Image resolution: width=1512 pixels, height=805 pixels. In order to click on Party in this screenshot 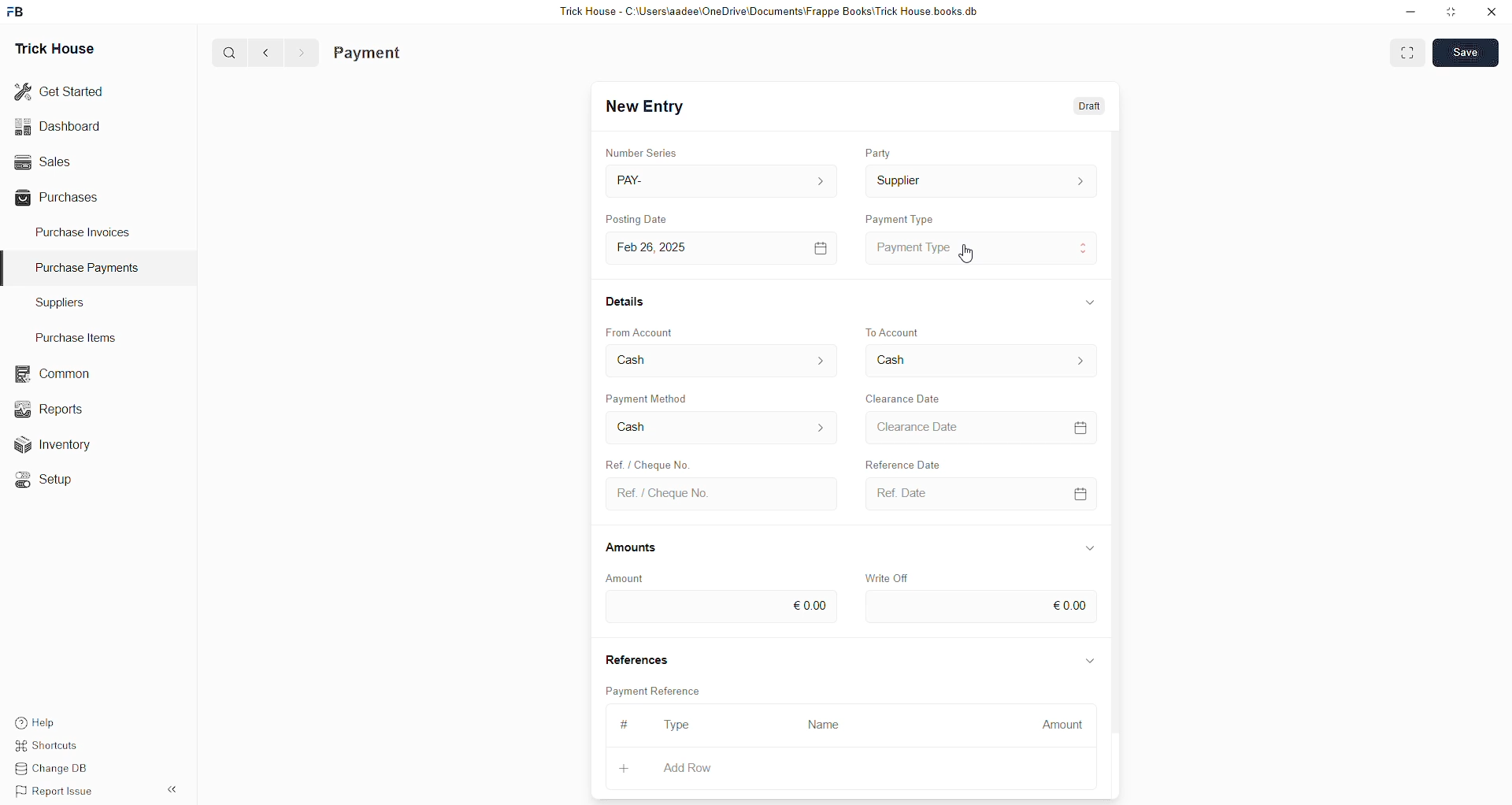, I will do `click(880, 154)`.